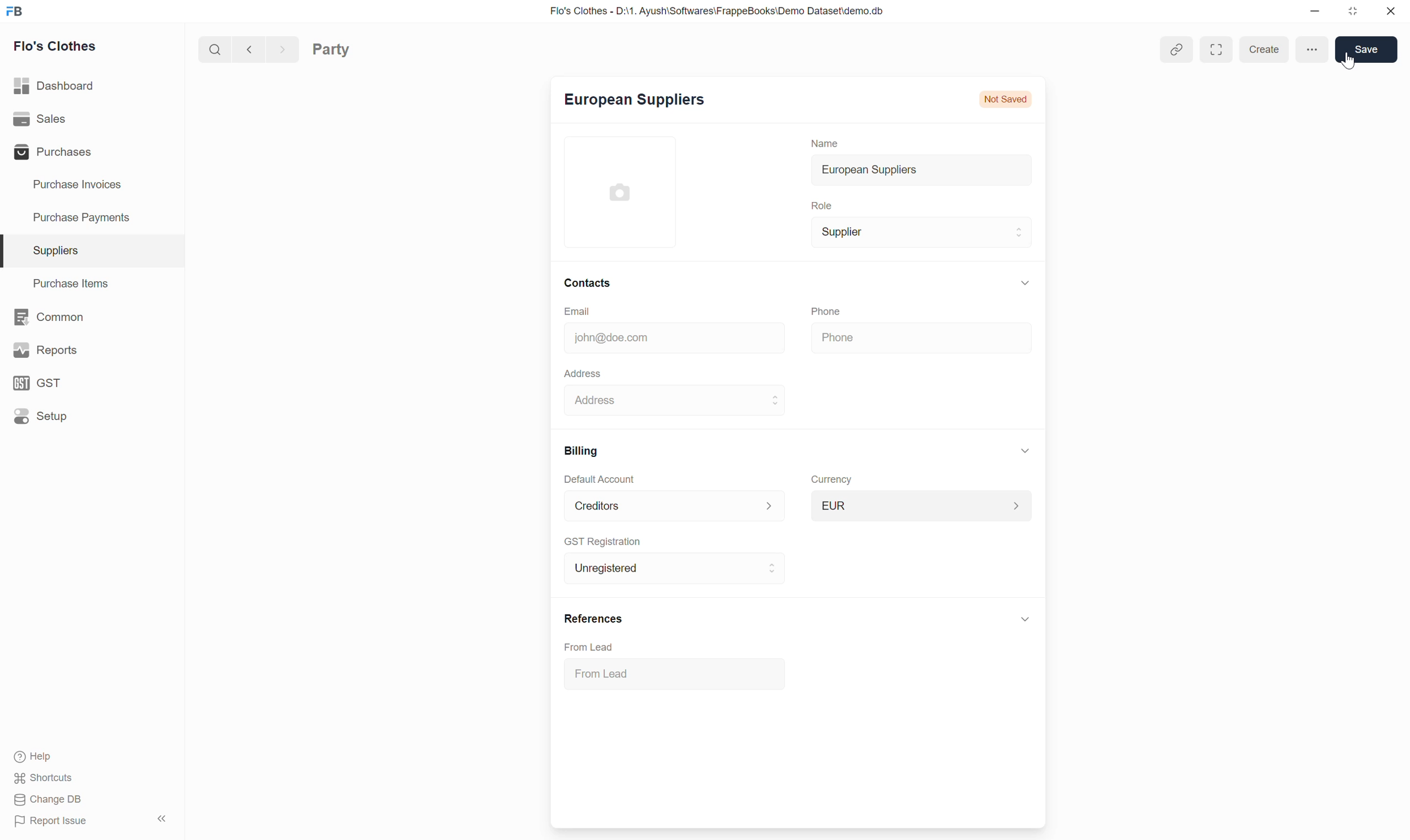 The width and height of the screenshot is (1410, 840). Describe the element at coordinates (597, 646) in the screenshot. I see `From Lead` at that location.